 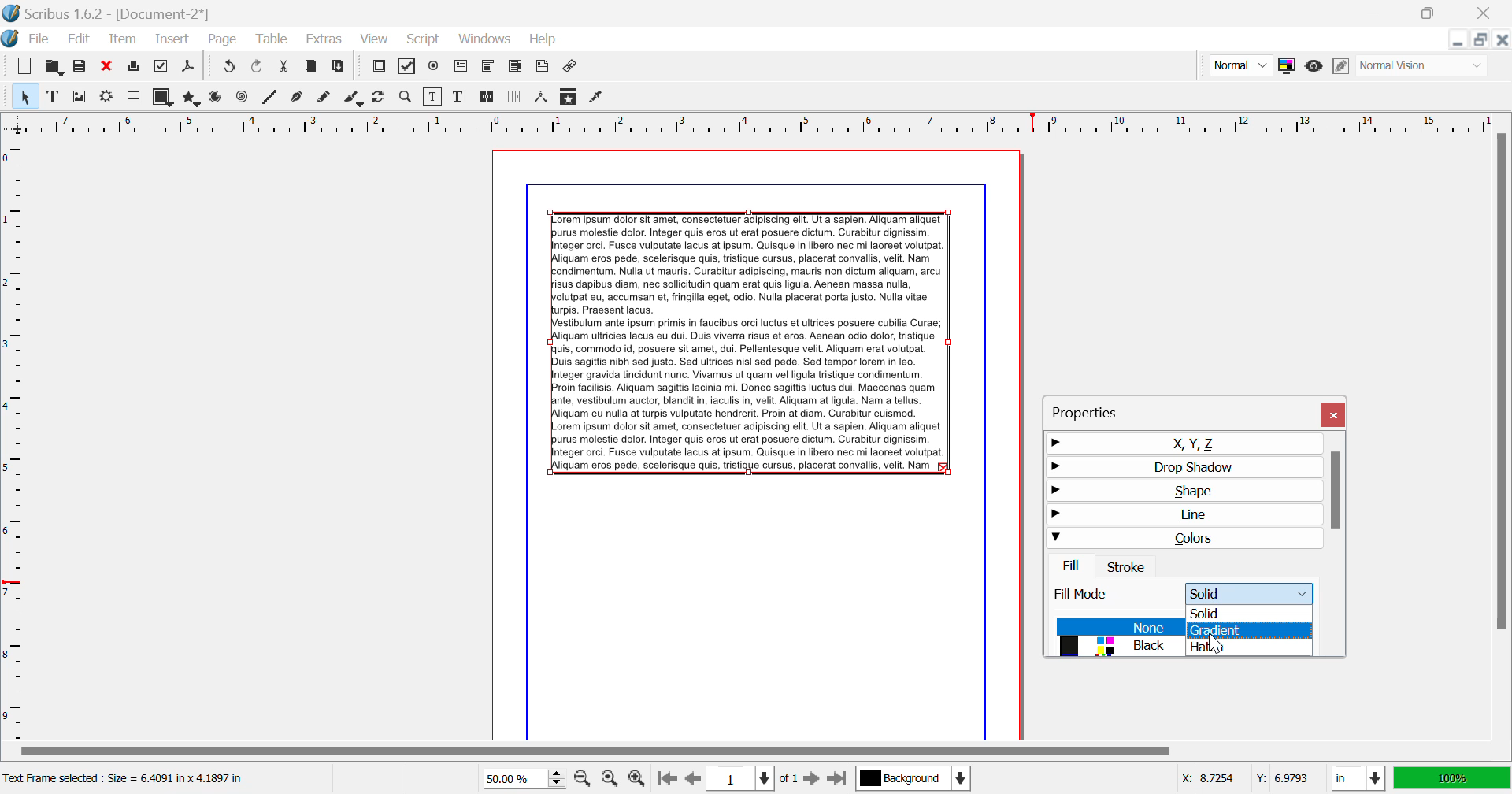 What do you see at coordinates (570, 96) in the screenshot?
I see `Copy Item Properties` at bounding box center [570, 96].